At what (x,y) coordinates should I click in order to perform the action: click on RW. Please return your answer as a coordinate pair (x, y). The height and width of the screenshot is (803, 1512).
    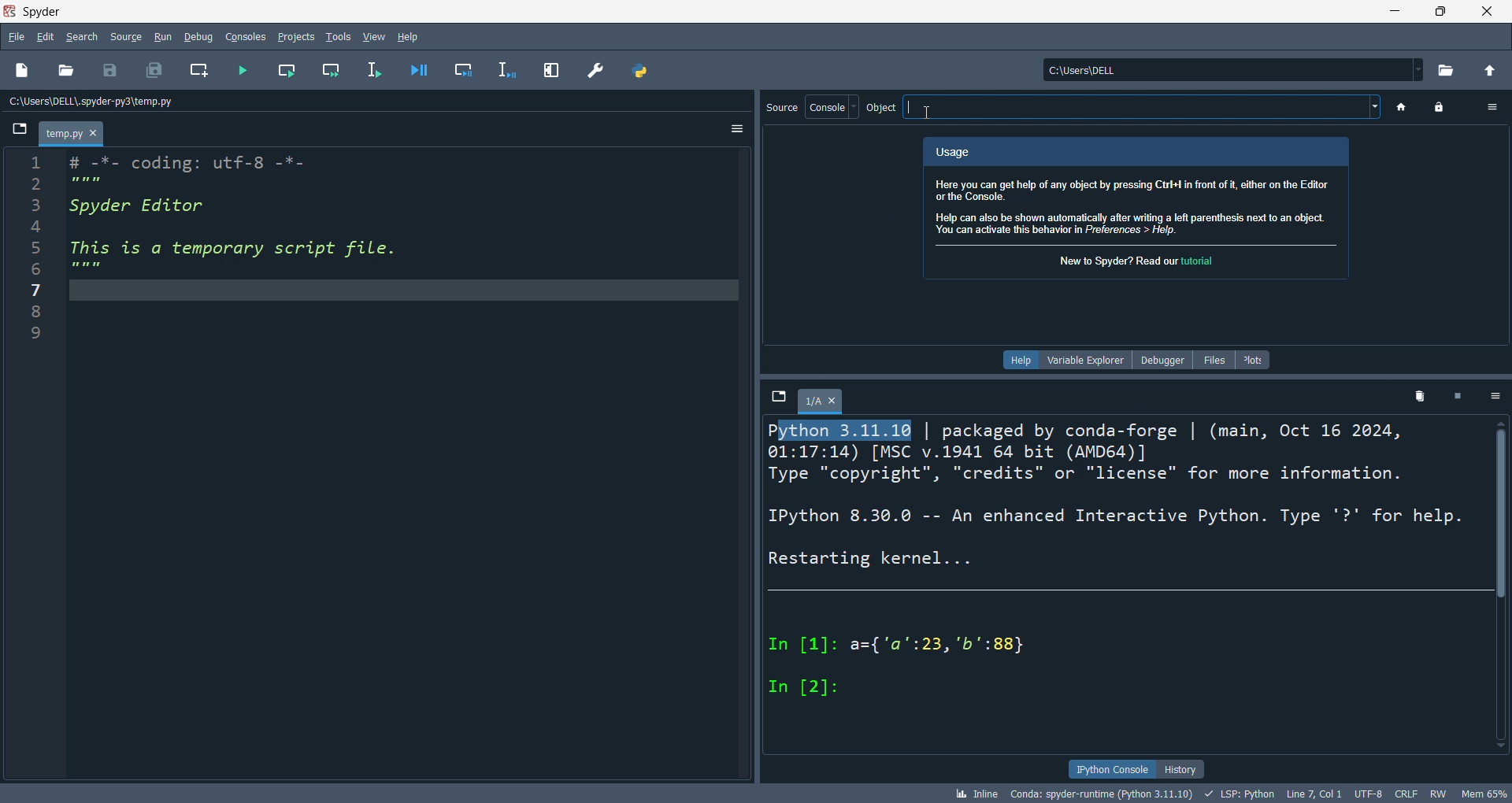
    Looking at the image, I should click on (1441, 793).